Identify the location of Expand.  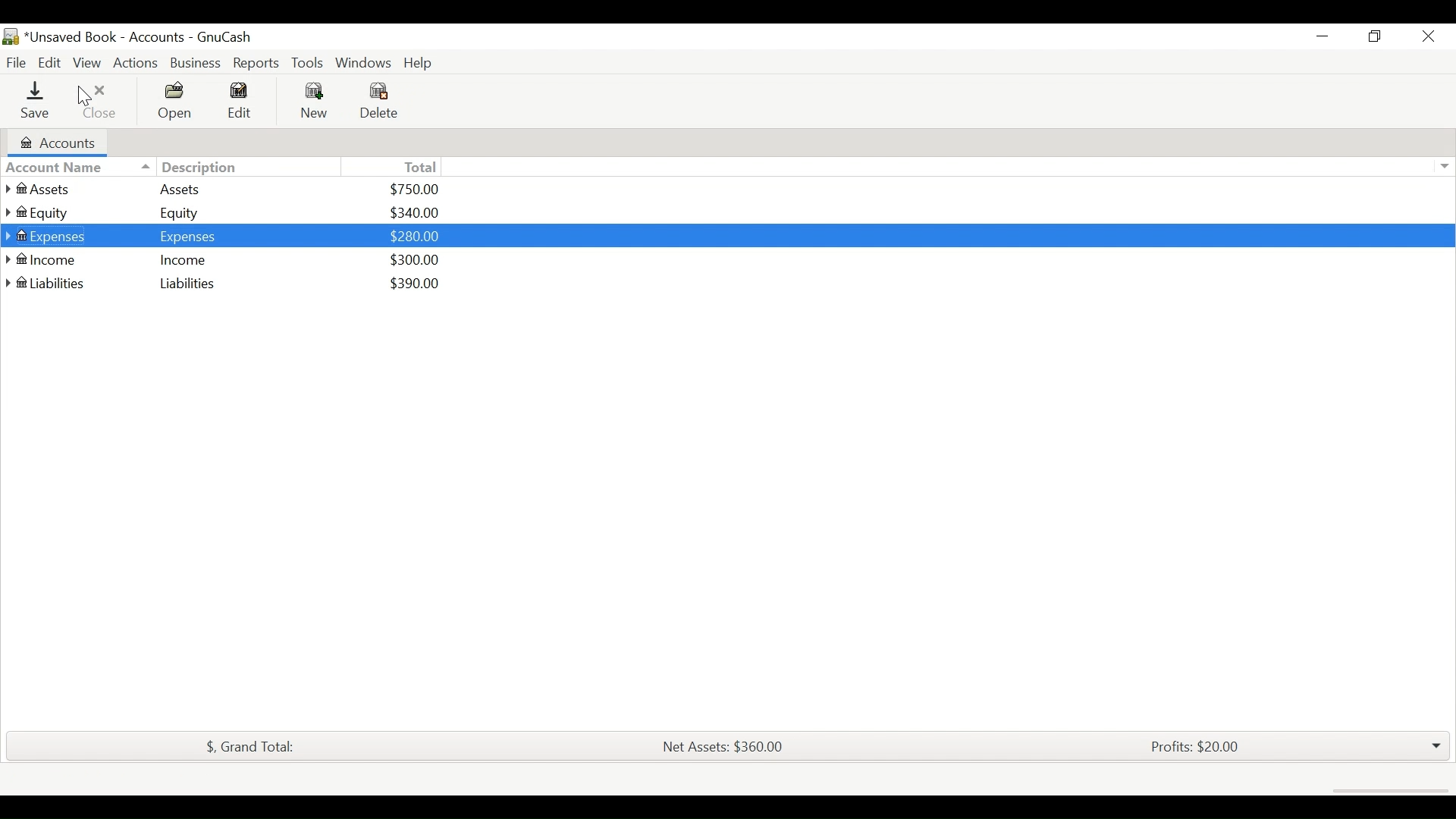
(1445, 165).